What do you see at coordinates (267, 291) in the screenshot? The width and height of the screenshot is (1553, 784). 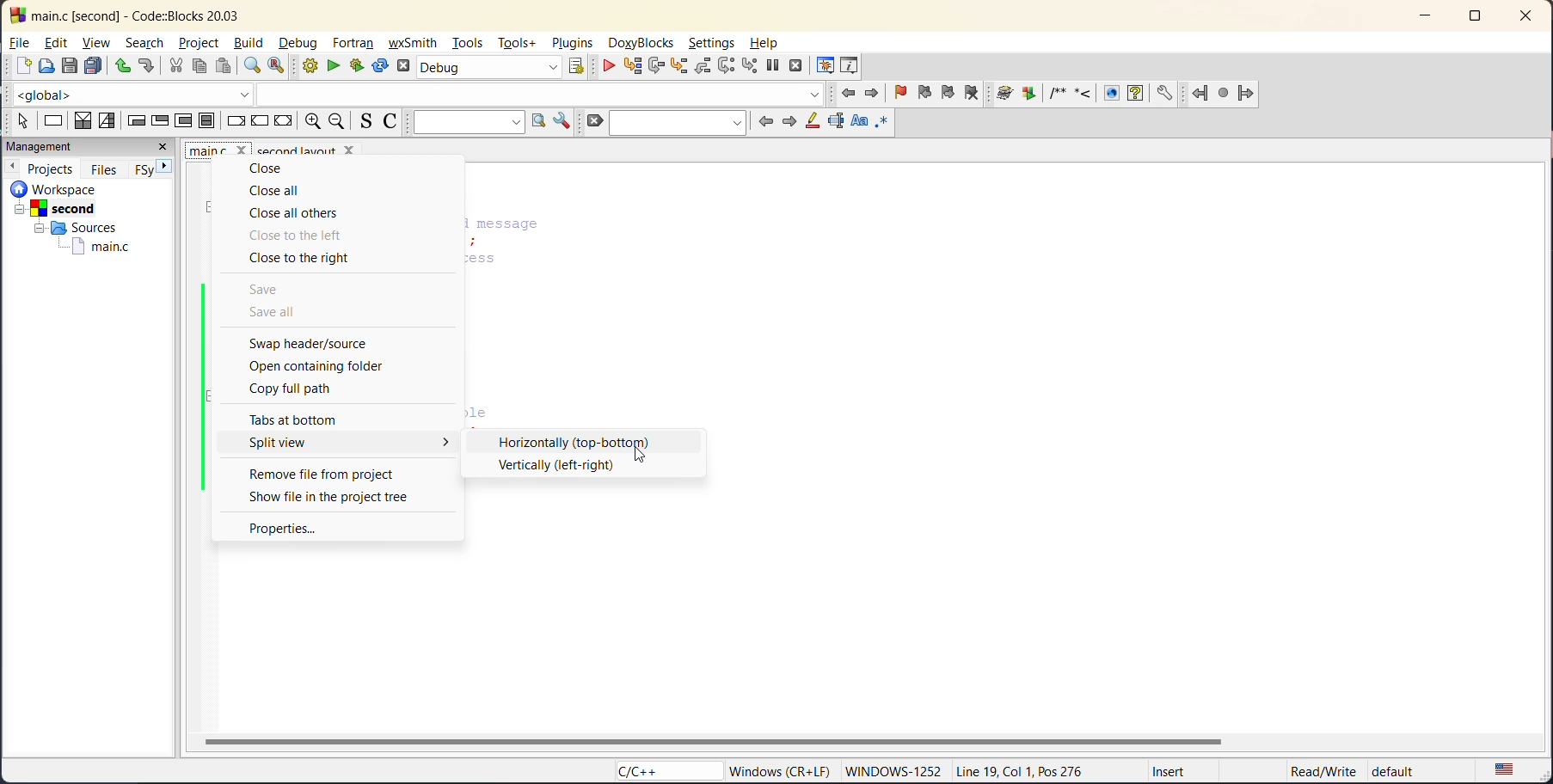 I see `save` at bounding box center [267, 291].